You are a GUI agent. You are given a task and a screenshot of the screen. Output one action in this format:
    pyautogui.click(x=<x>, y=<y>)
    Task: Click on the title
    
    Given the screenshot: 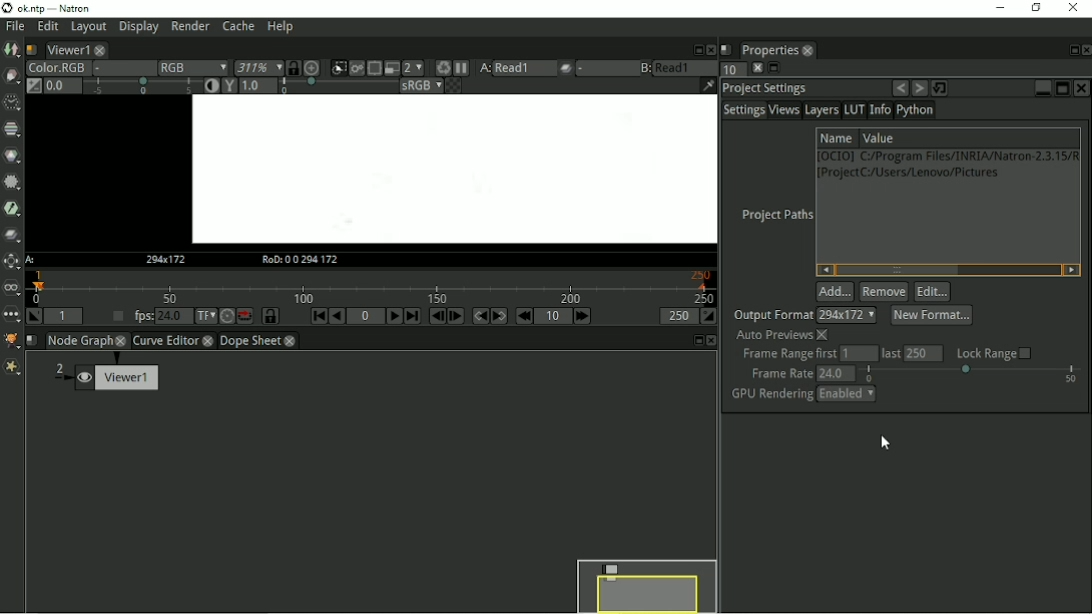 What is the action you would take?
    pyautogui.click(x=89, y=8)
    